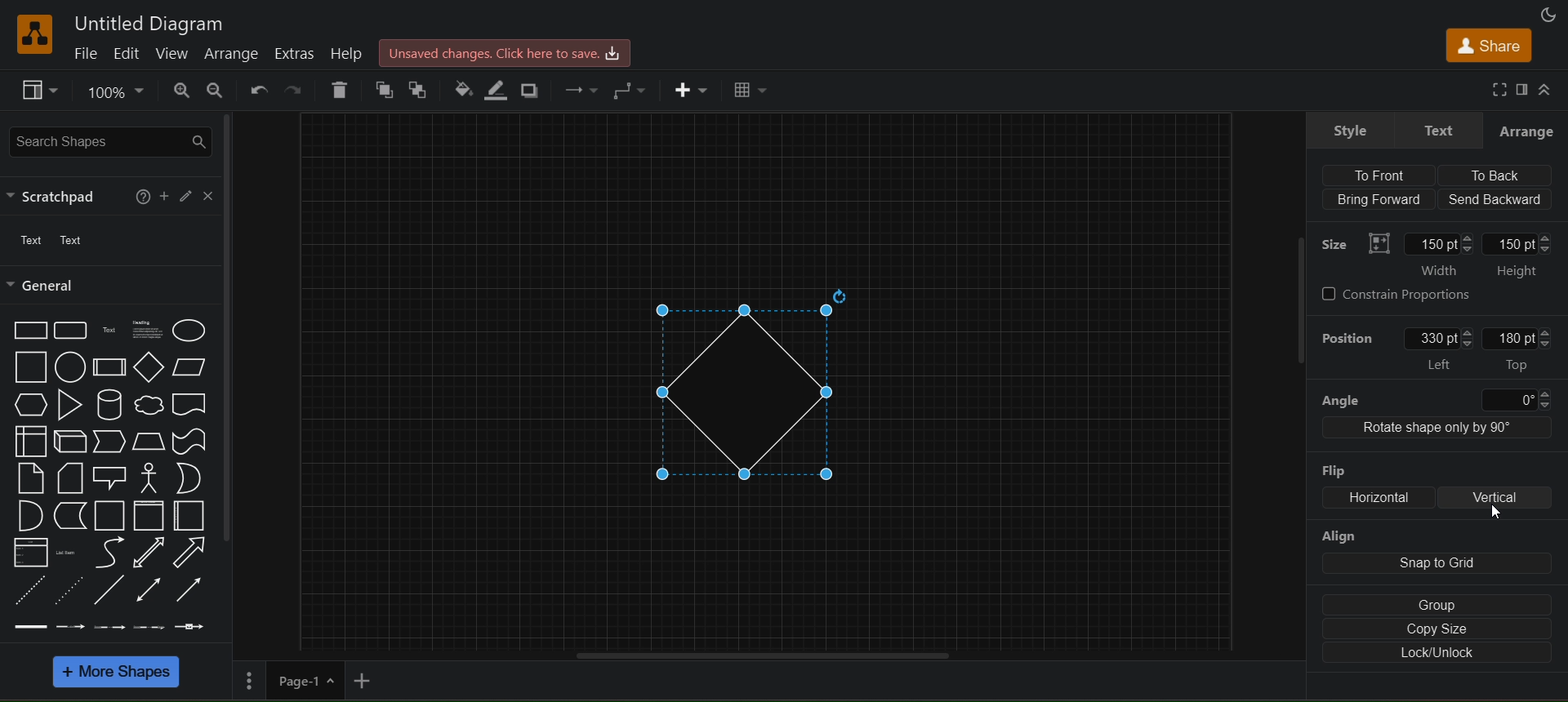 This screenshot has width=1568, height=702. What do you see at coordinates (693, 91) in the screenshot?
I see `insert` at bounding box center [693, 91].